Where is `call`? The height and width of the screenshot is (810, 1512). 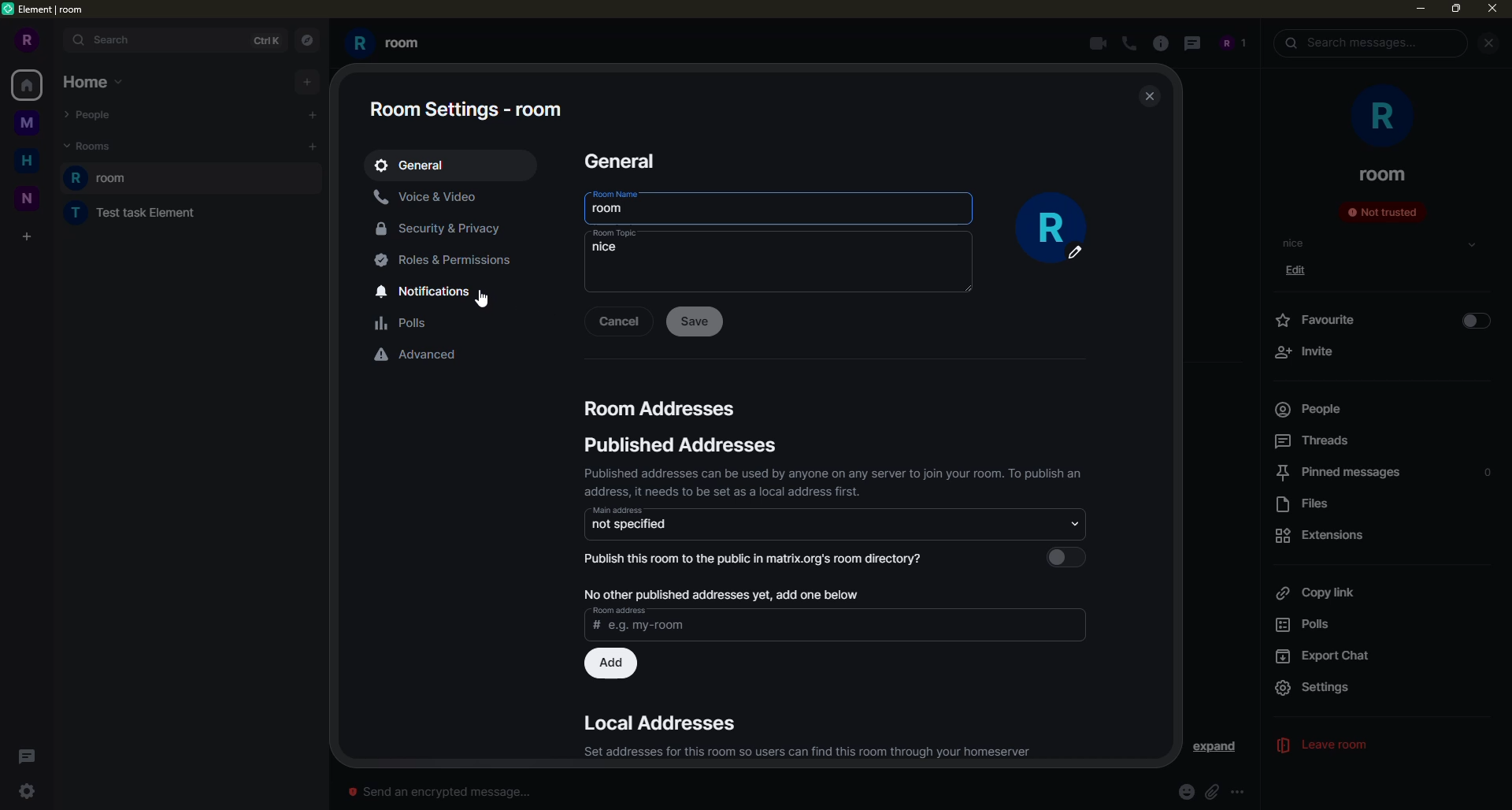
call is located at coordinates (1131, 45).